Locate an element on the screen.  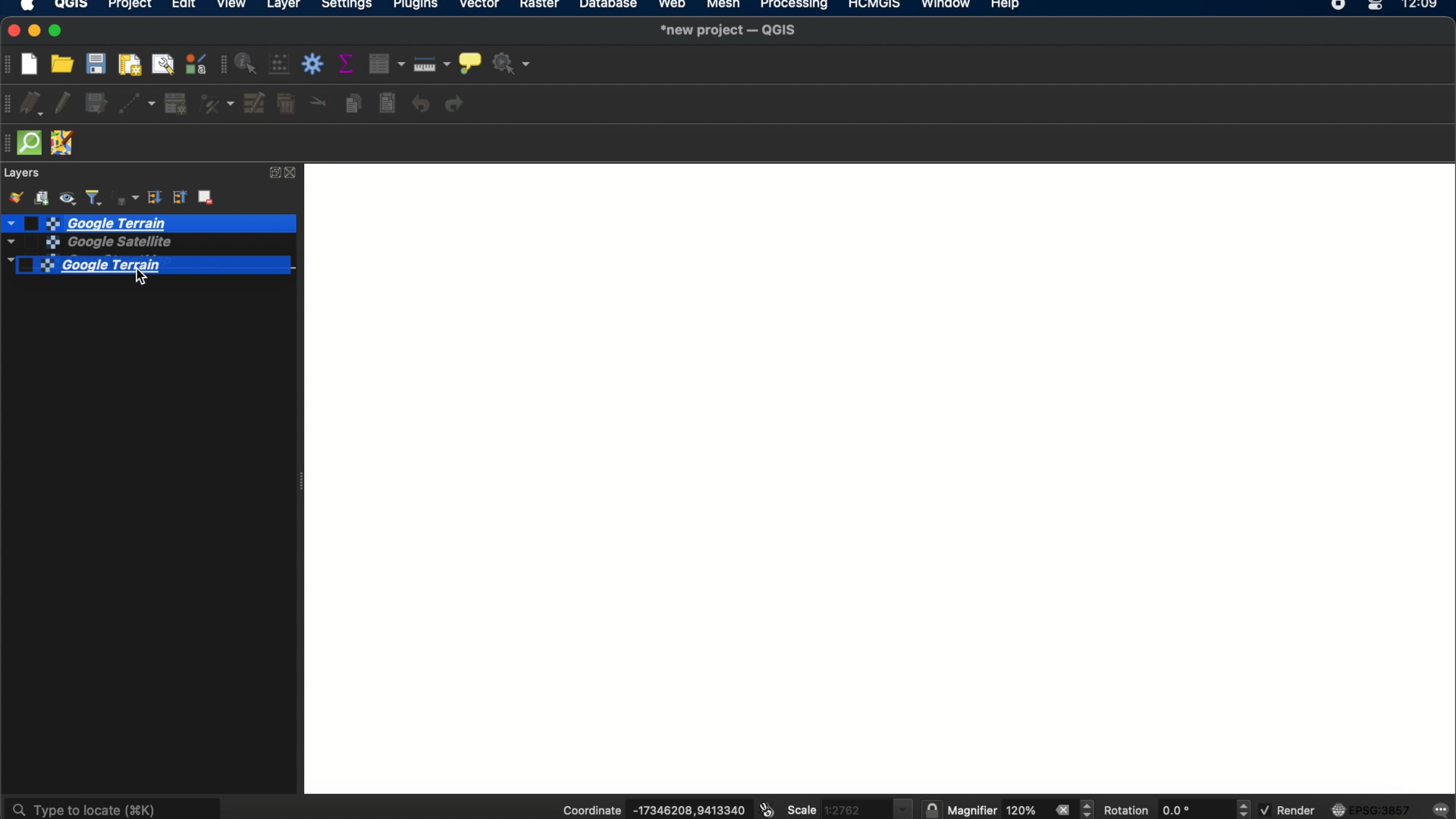
12.09 is located at coordinates (1426, 6).